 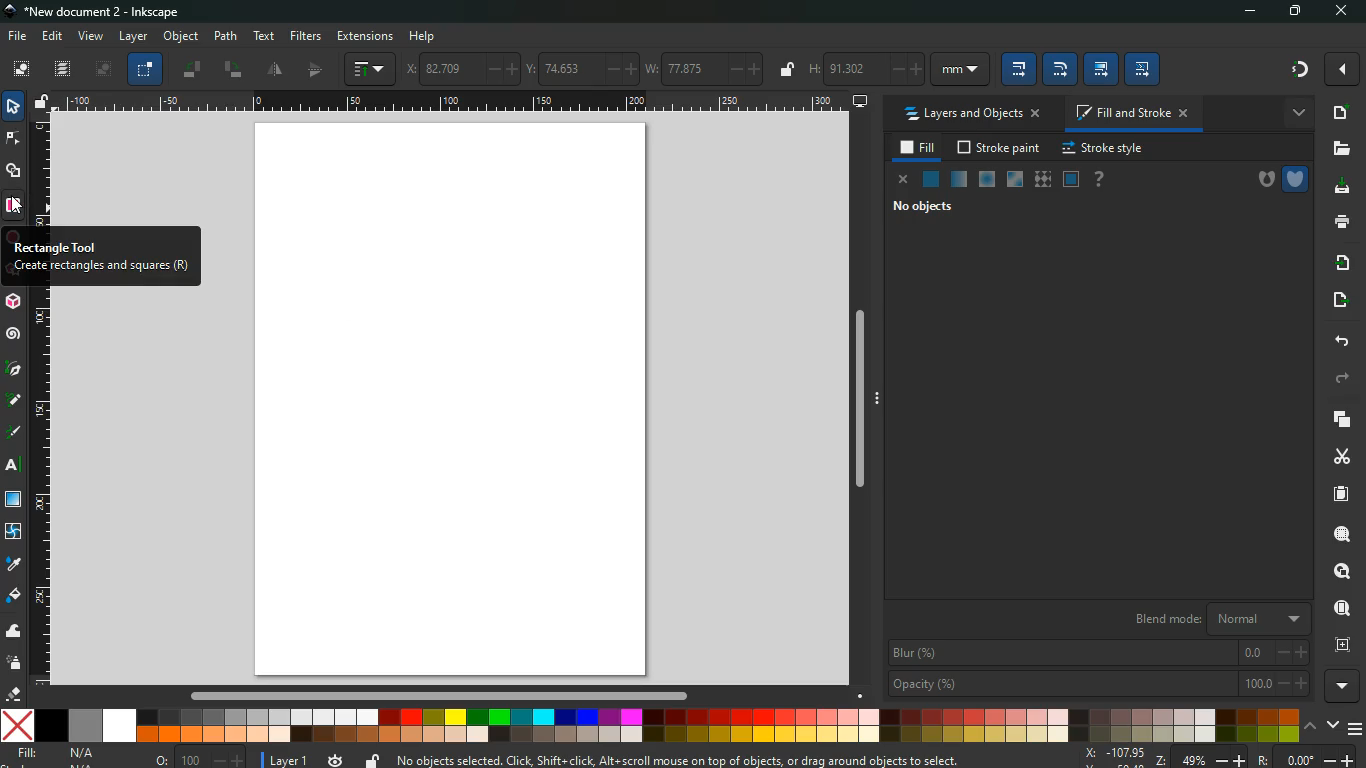 I want to click on text, so click(x=266, y=37).